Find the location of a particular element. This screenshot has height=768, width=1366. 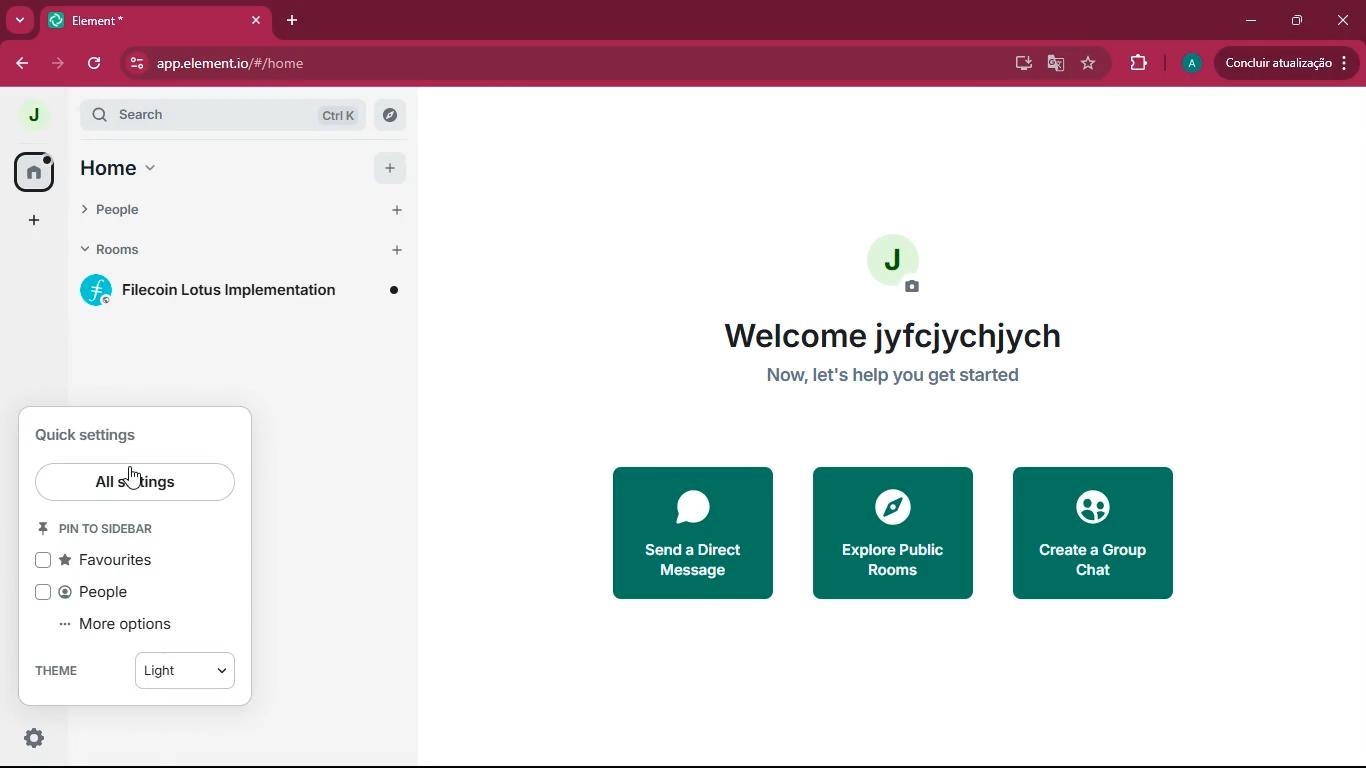

home is located at coordinates (34, 170).